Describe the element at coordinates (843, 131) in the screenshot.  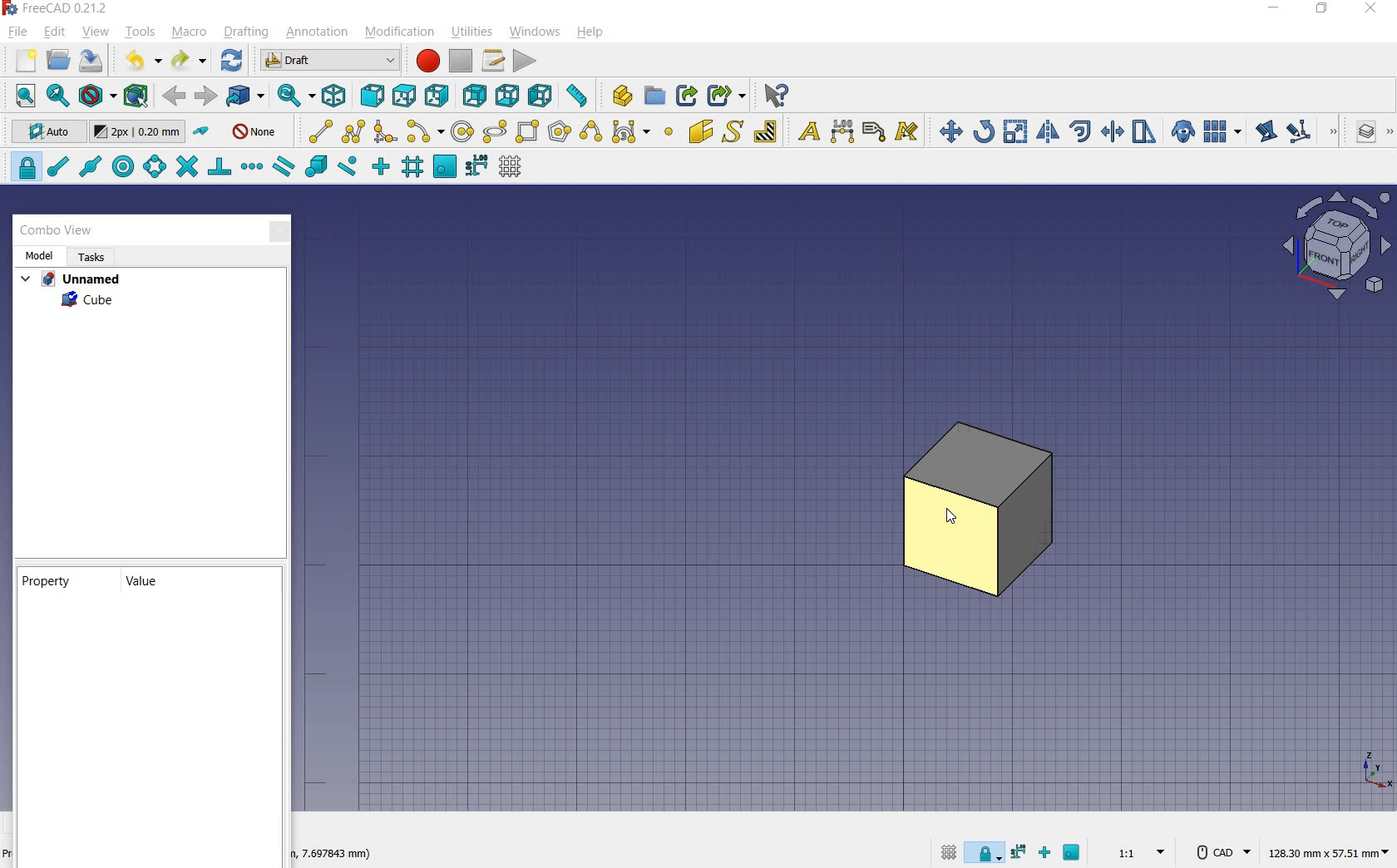
I see `dimension` at that location.